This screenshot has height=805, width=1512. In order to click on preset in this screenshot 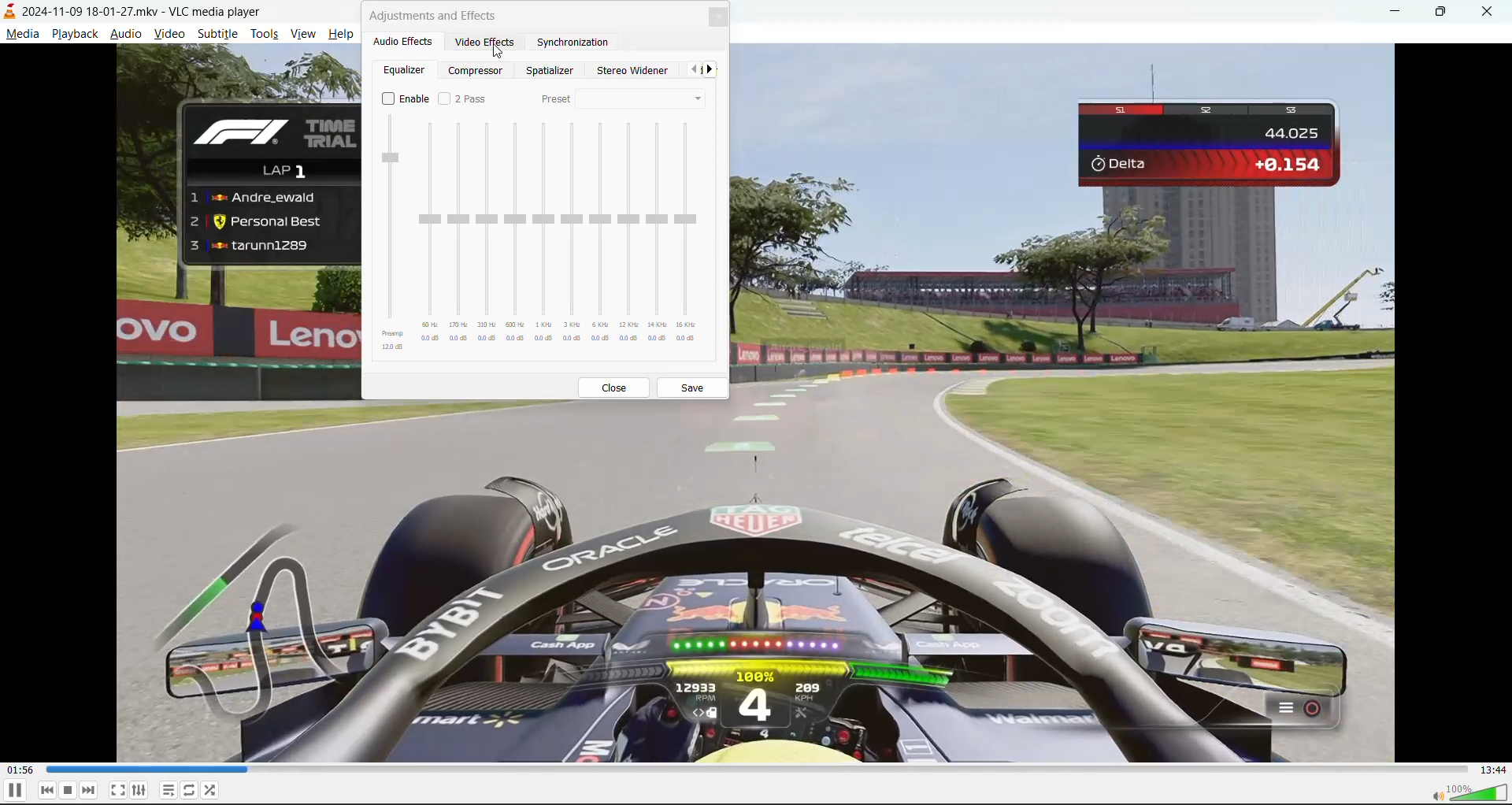, I will do `click(624, 100)`.